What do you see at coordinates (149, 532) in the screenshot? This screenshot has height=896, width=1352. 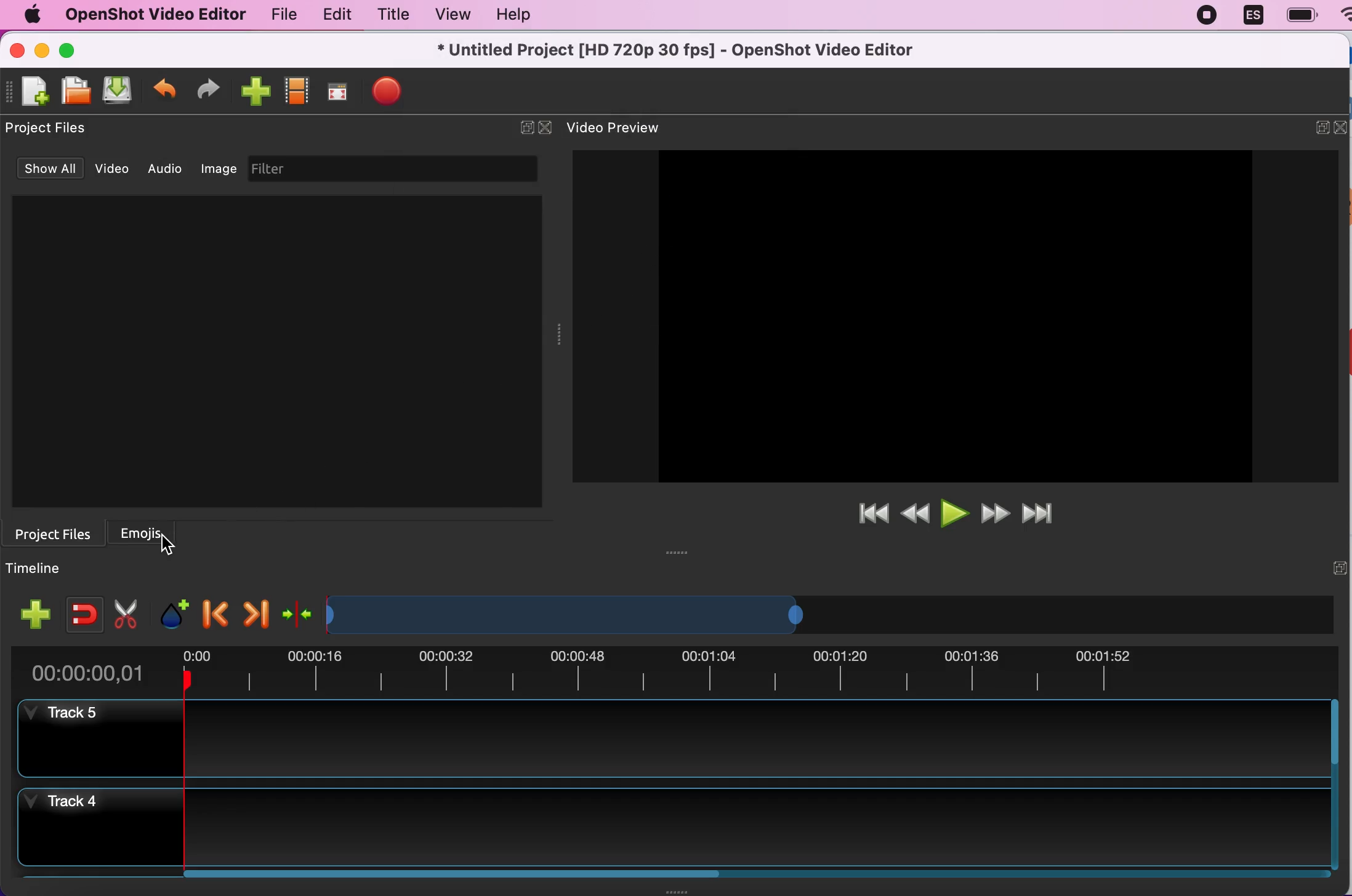 I see `emojis` at bounding box center [149, 532].